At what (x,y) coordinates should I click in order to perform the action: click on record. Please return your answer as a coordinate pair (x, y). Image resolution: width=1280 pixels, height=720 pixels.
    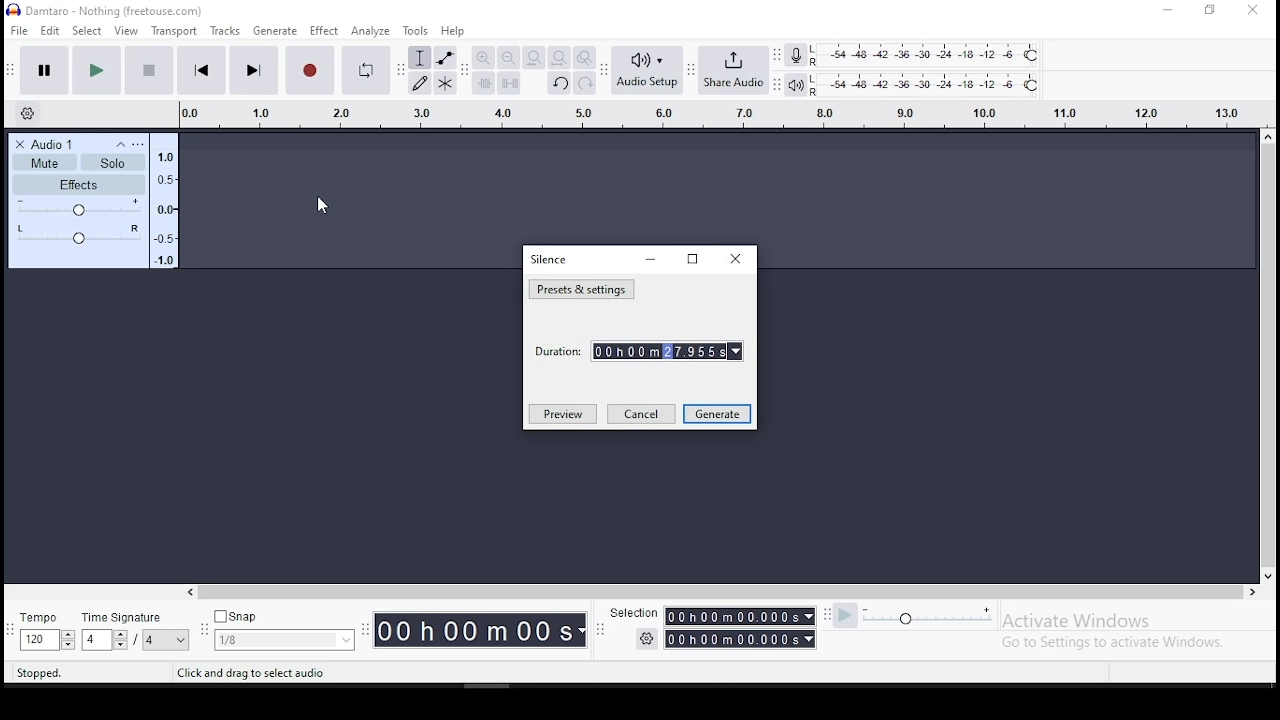
    Looking at the image, I should click on (307, 69).